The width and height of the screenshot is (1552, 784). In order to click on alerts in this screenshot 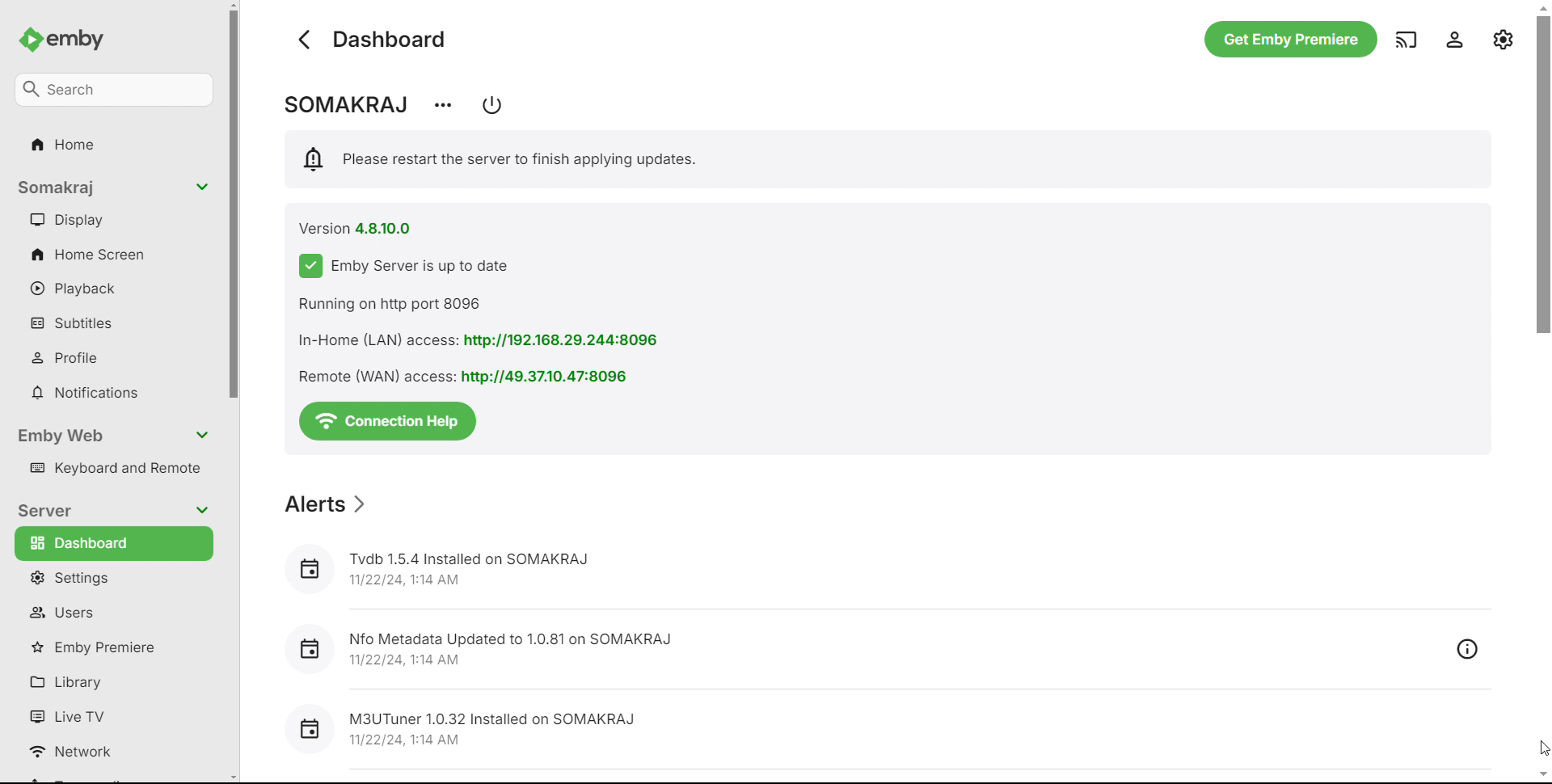, I will do `click(324, 503)`.